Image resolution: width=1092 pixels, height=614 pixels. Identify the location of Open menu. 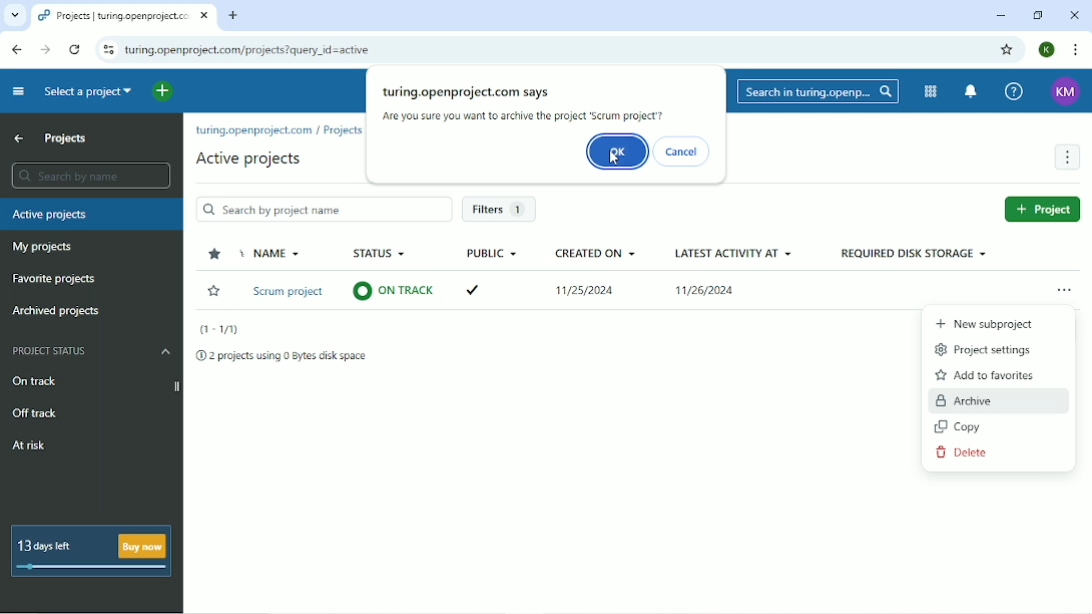
(1065, 292).